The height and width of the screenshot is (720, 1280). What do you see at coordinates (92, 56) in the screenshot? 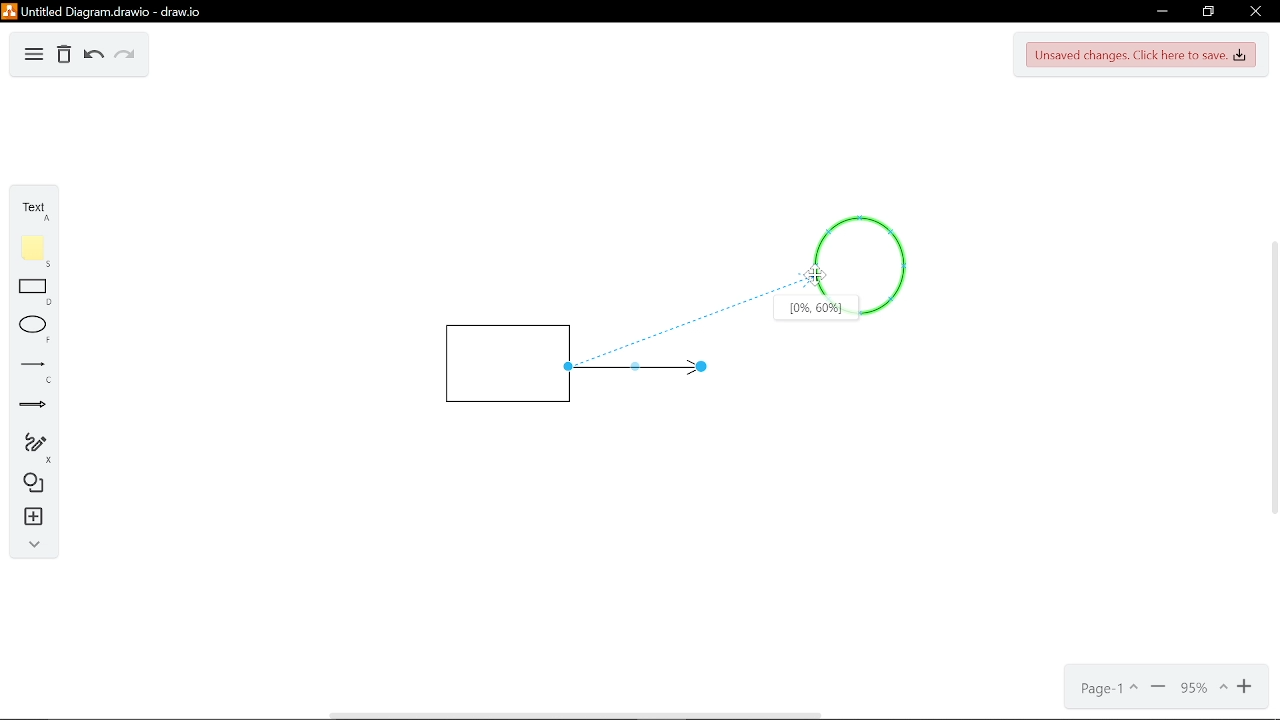
I see `Undo` at bounding box center [92, 56].